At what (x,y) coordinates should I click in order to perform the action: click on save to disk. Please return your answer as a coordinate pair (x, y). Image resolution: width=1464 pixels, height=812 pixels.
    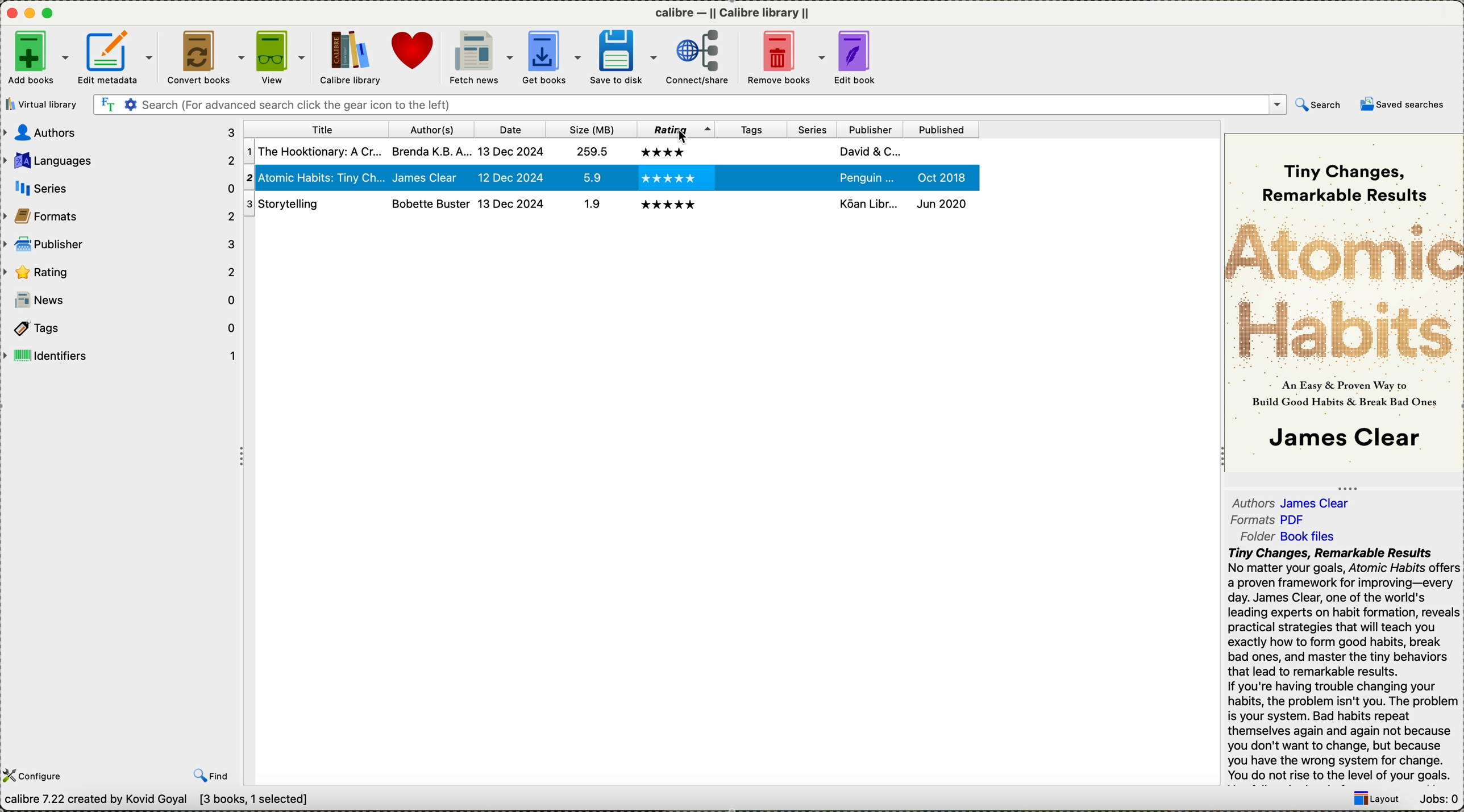
    Looking at the image, I should click on (626, 56).